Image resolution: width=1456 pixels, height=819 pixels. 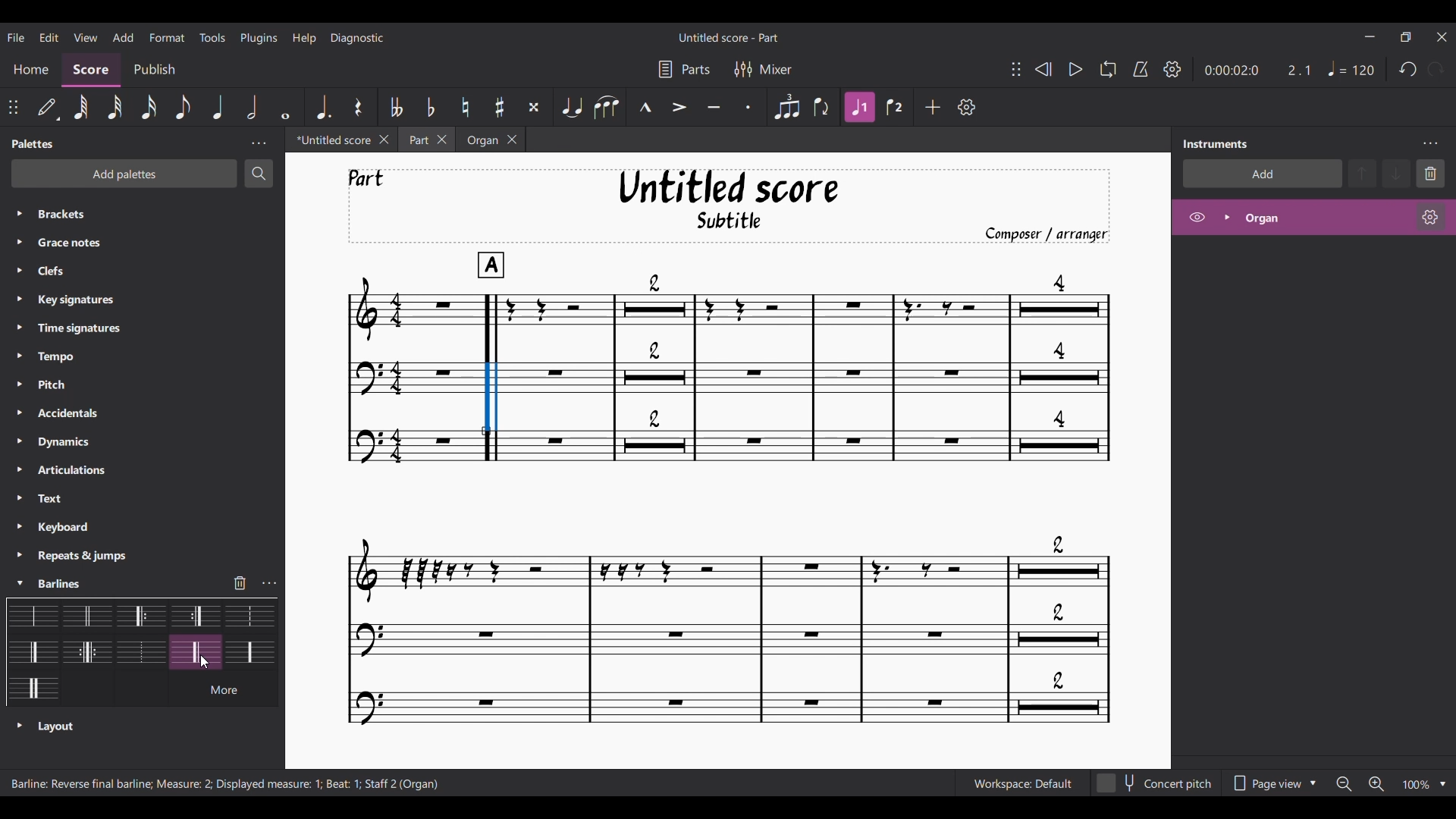 What do you see at coordinates (1227, 217) in the screenshot?
I see `Expand organ` at bounding box center [1227, 217].